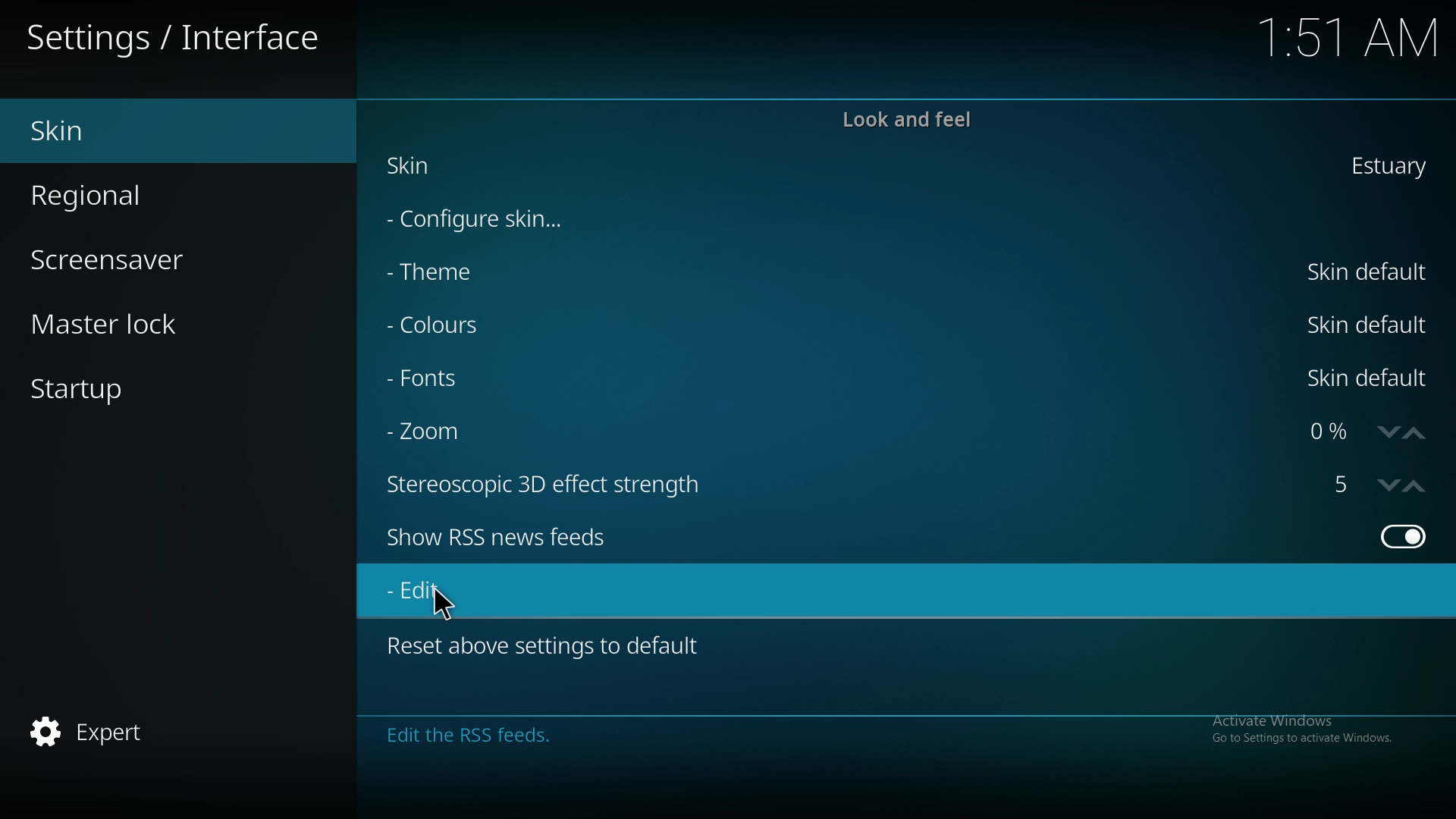 This screenshot has height=819, width=1456. What do you see at coordinates (1401, 536) in the screenshot?
I see `show rss feeds` at bounding box center [1401, 536].